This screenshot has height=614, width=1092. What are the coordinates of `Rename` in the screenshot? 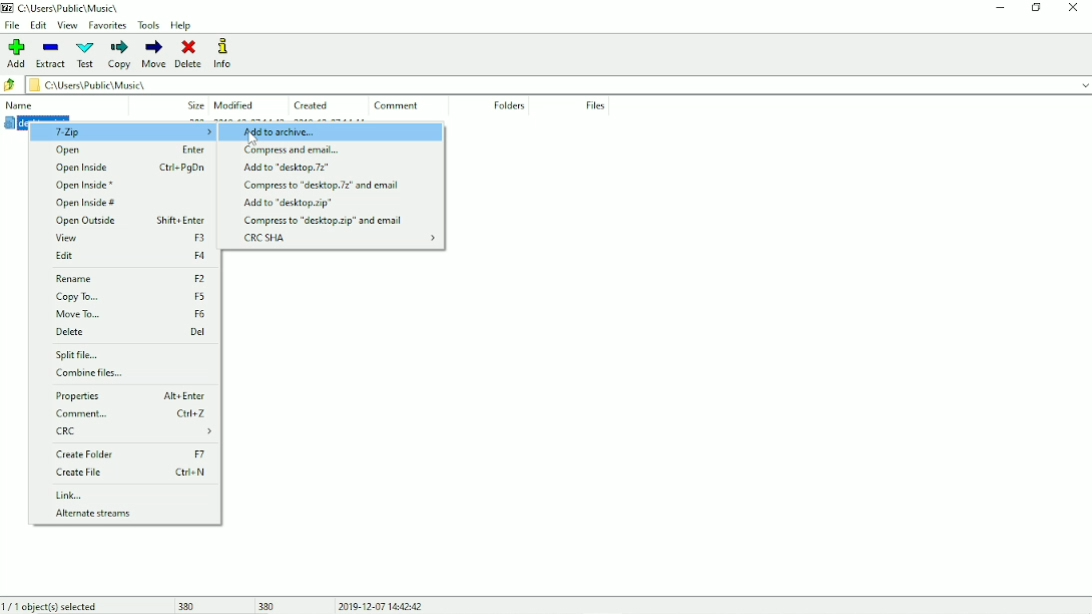 It's located at (128, 278).